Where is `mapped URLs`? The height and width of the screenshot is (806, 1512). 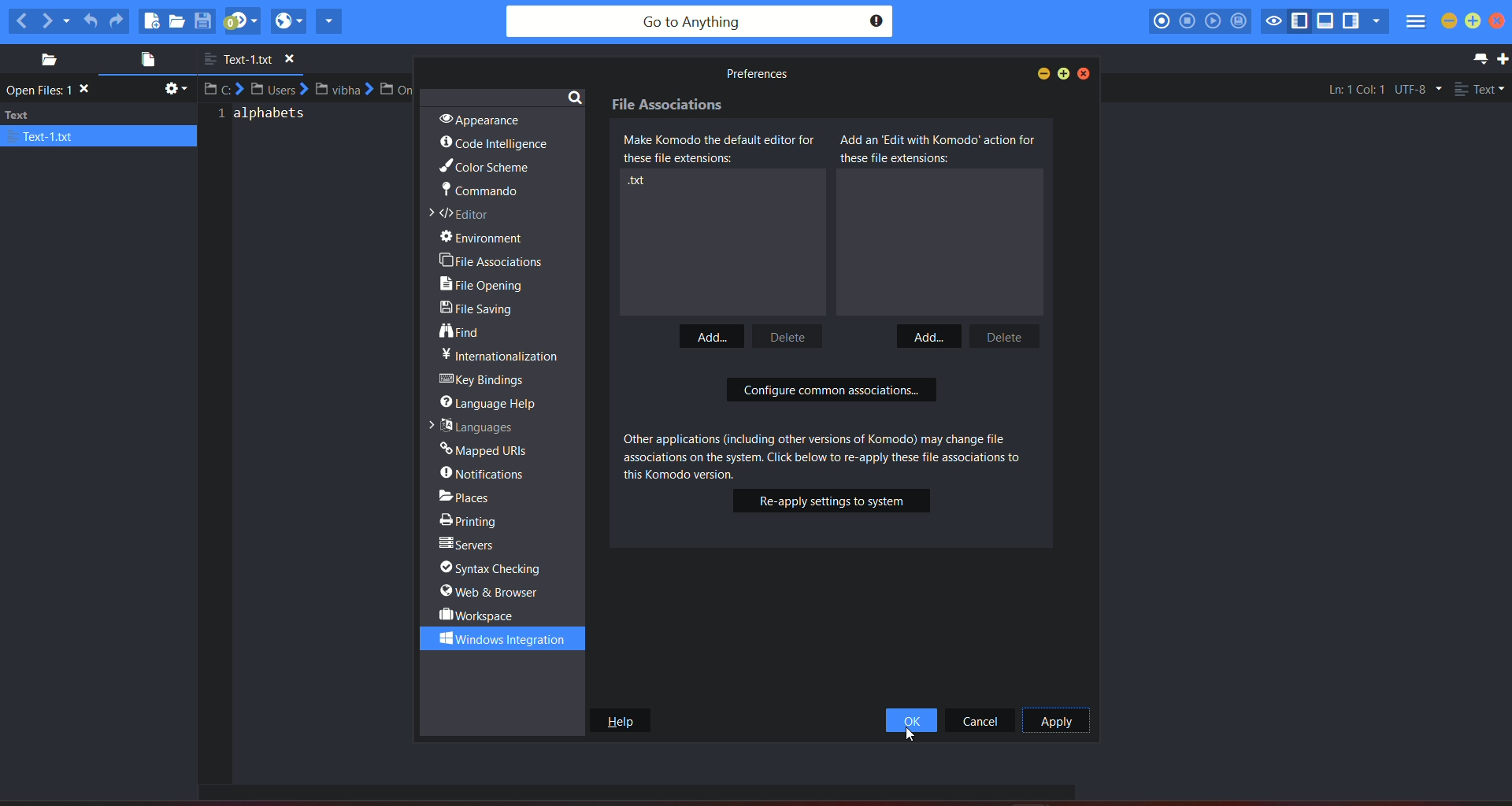
mapped URLs is located at coordinates (485, 448).